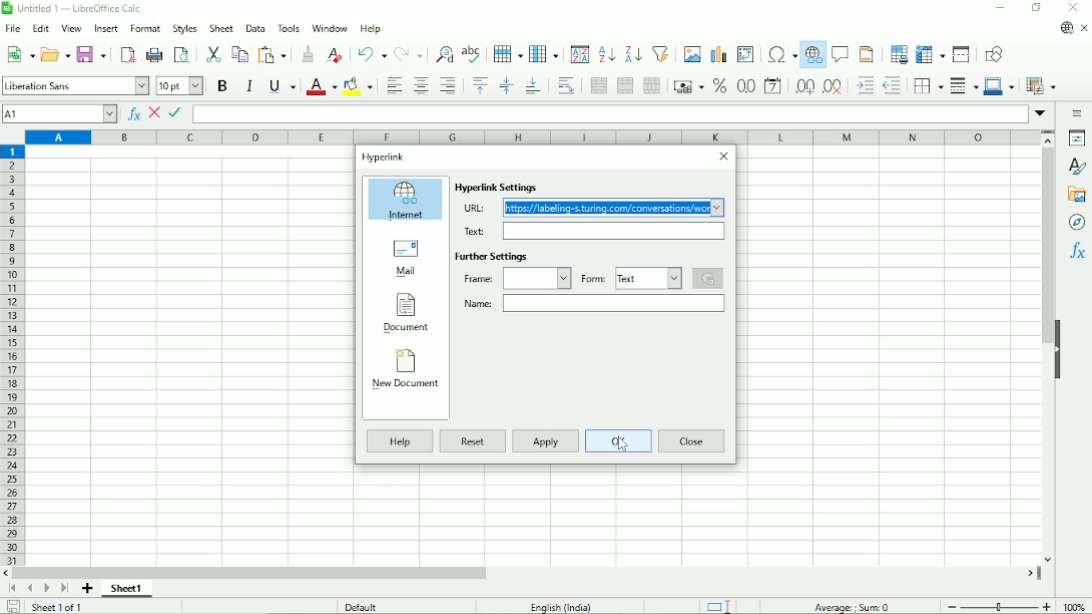 This screenshot has height=614, width=1092. I want to click on Accept, so click(176, 113).